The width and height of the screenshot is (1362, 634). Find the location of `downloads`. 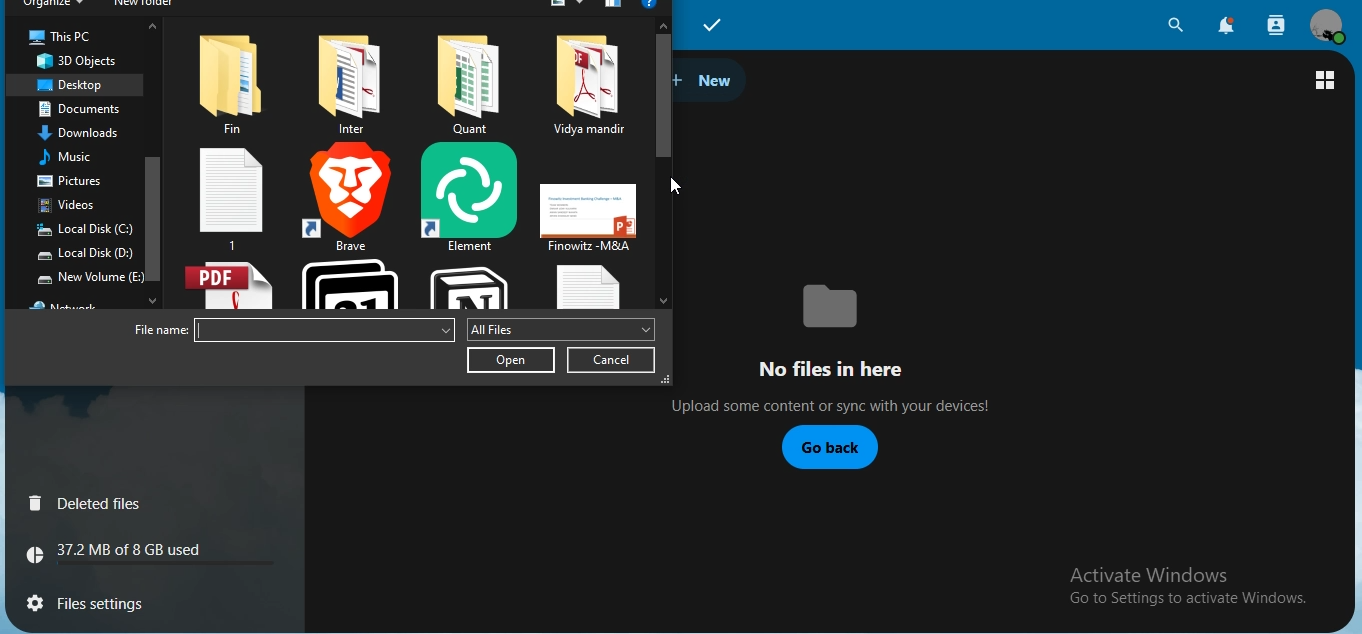

downloads is located at coordinates (83, 132).